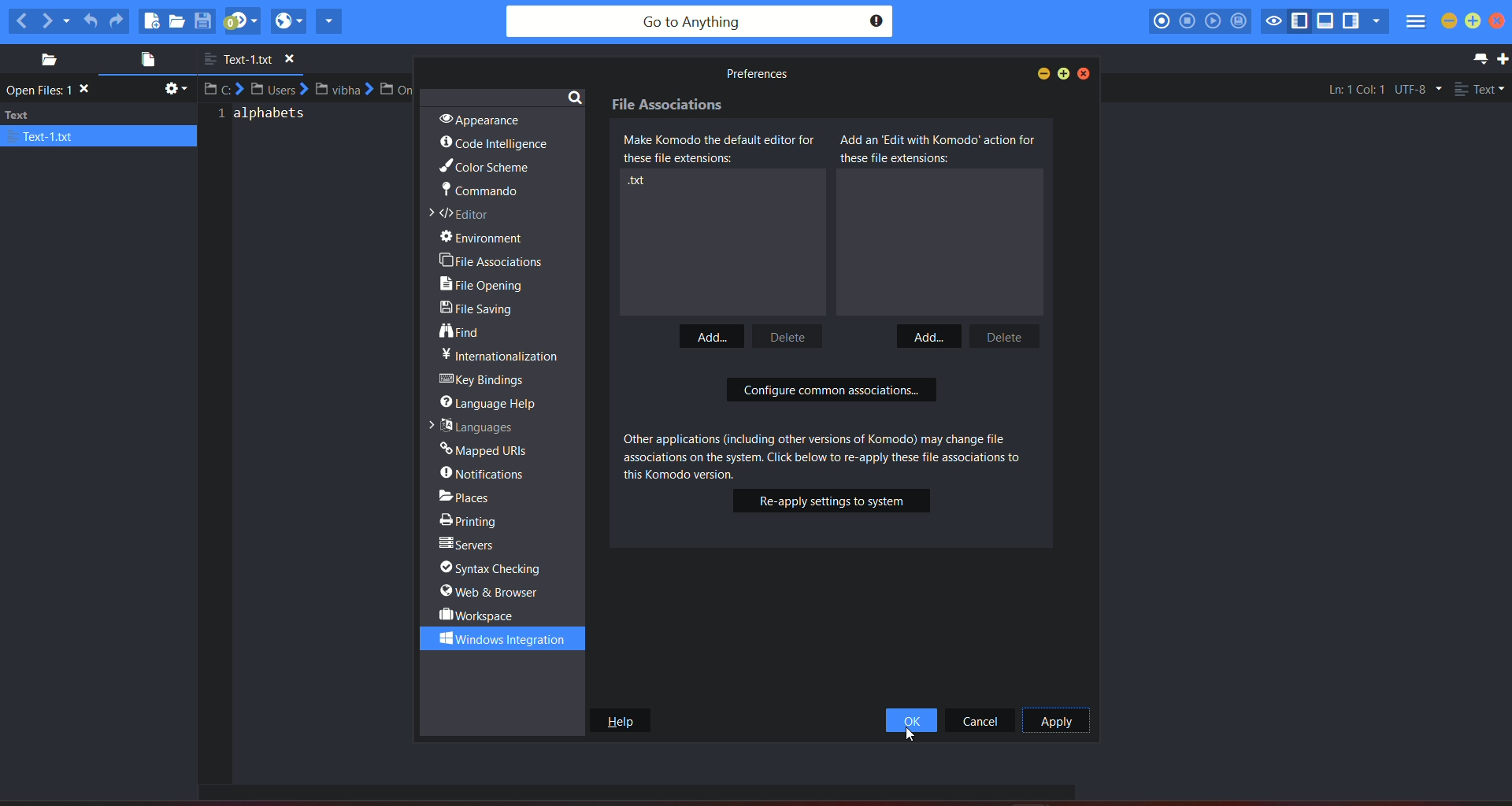 The image size is (1512, 806). I want to click on new tab, so click(1503, 59).